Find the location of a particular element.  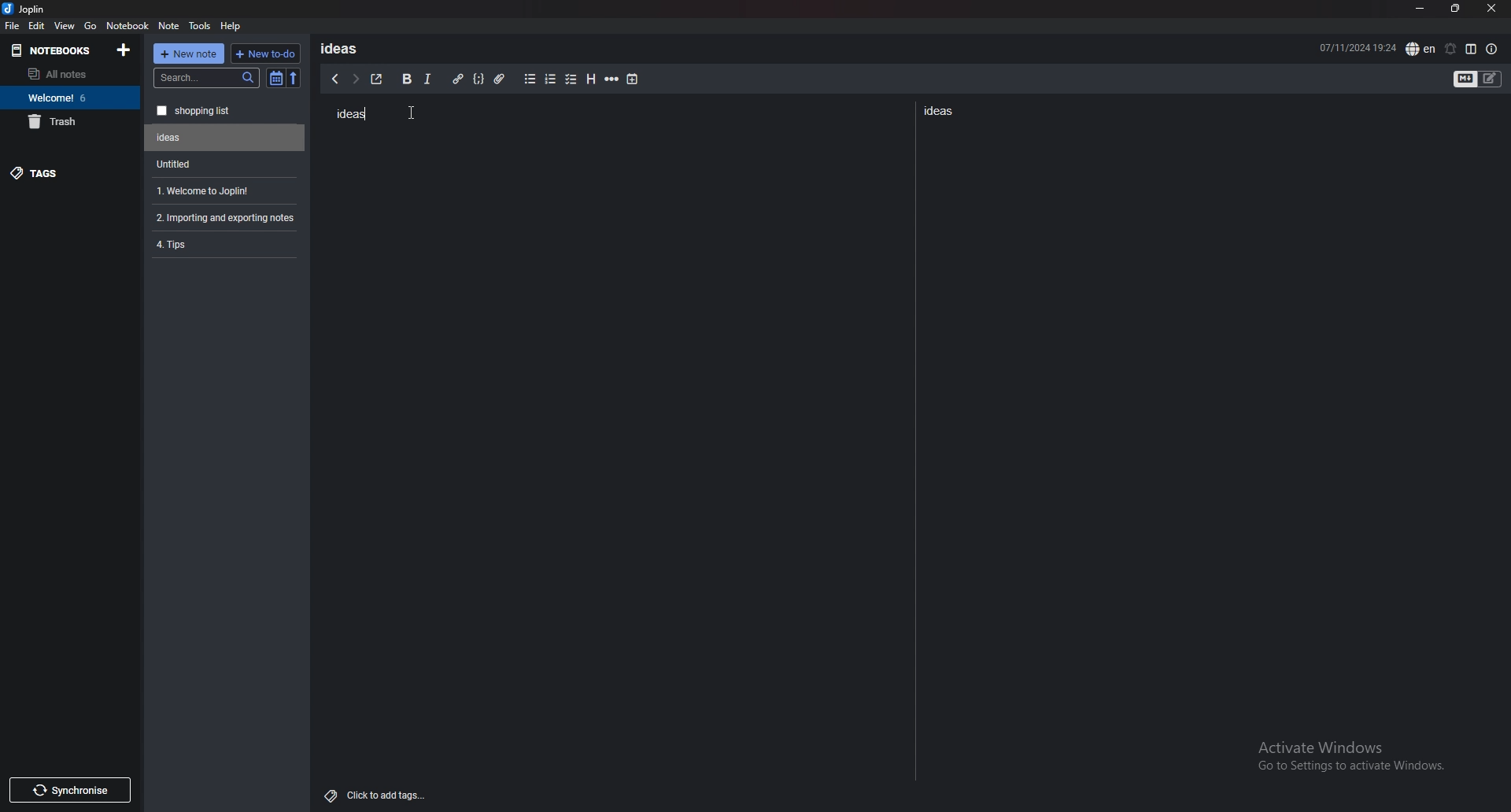

new todo is located at coordinates (264, 54).